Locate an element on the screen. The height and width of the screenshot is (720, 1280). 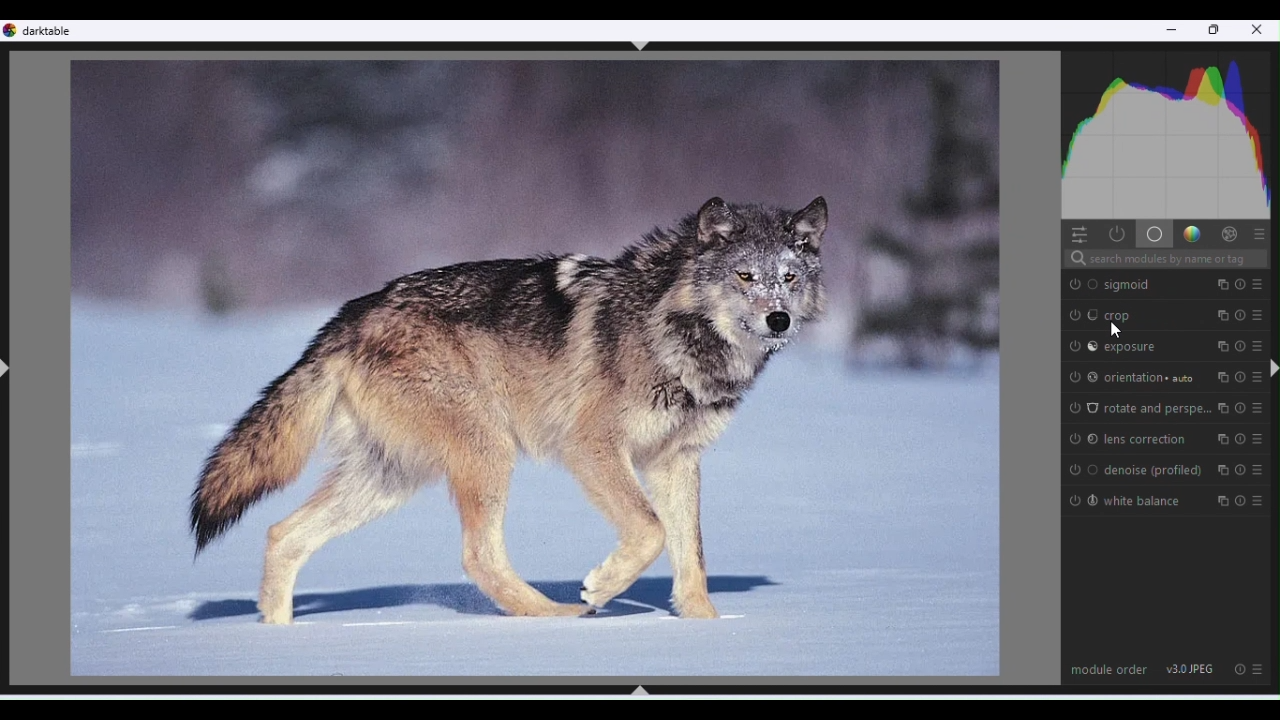
ctrl+shift+r is located at coordinates (1271, 368).